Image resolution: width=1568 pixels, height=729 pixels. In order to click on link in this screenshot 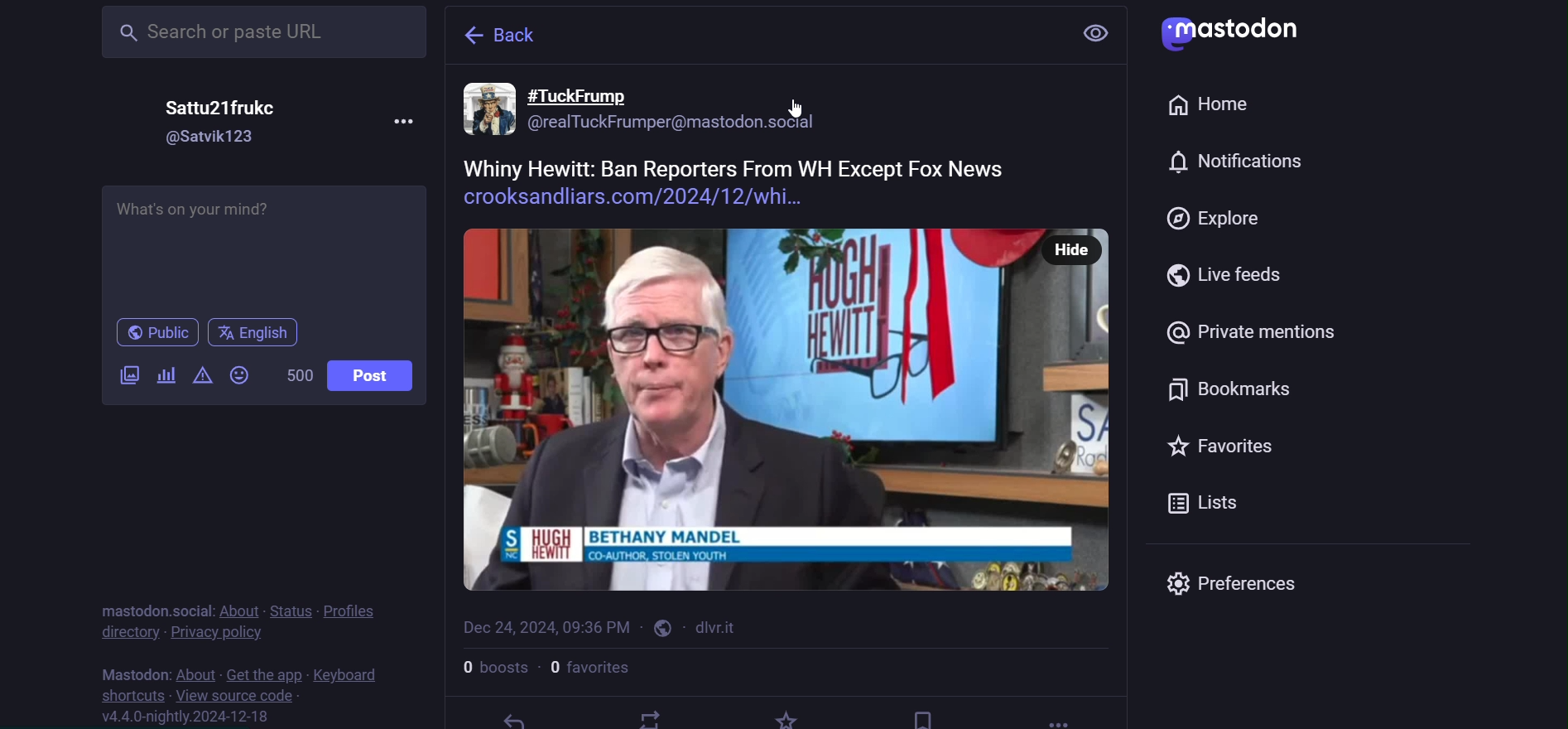, I will do `click(720, 626)`.